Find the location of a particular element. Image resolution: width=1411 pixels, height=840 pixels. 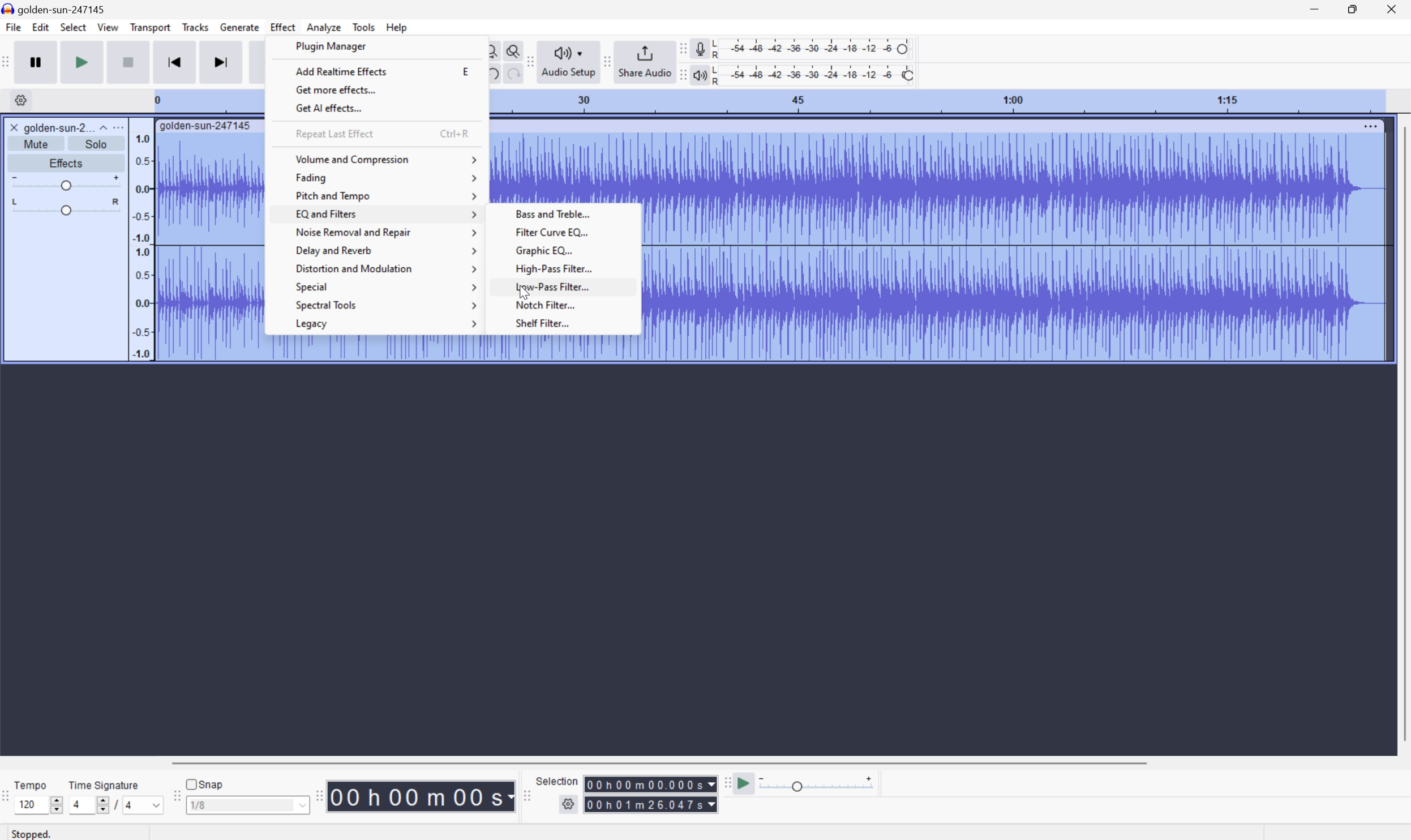

Solo is located at coordinates (96, 144).